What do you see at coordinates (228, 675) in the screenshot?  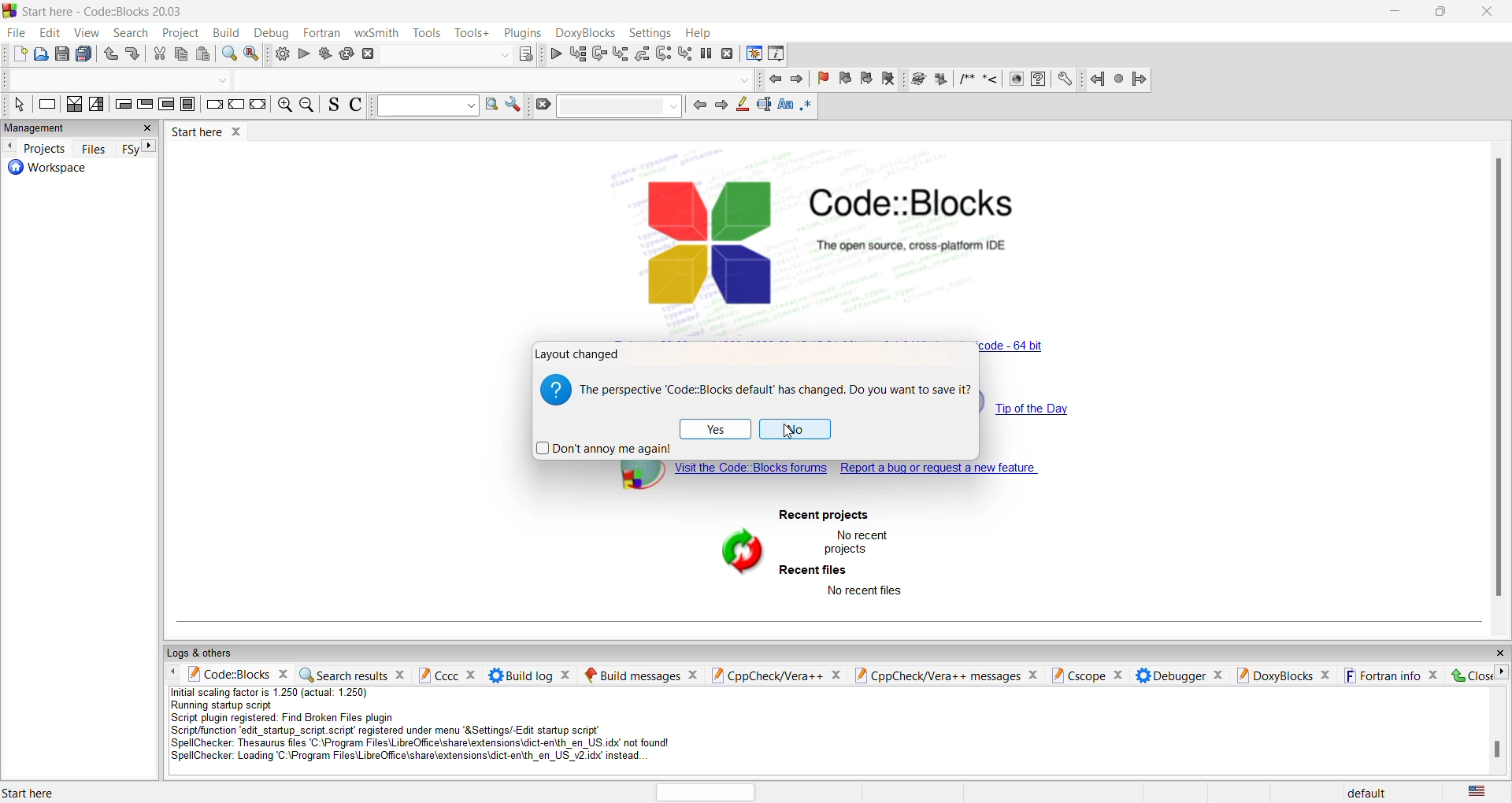 I see `codeblocks pane` at bounding box center [228, 675].